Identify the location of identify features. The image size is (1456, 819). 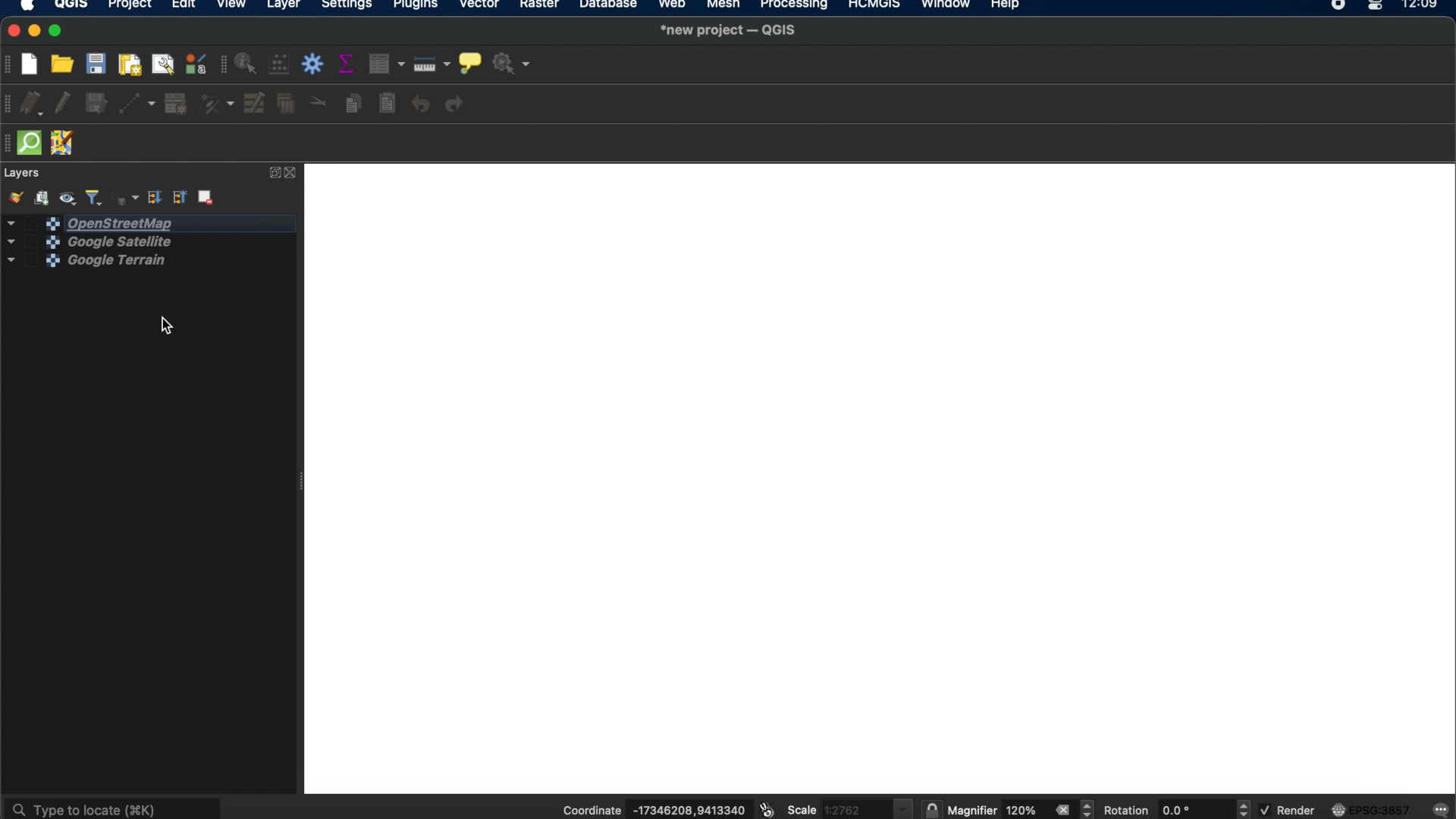
(248, 64).